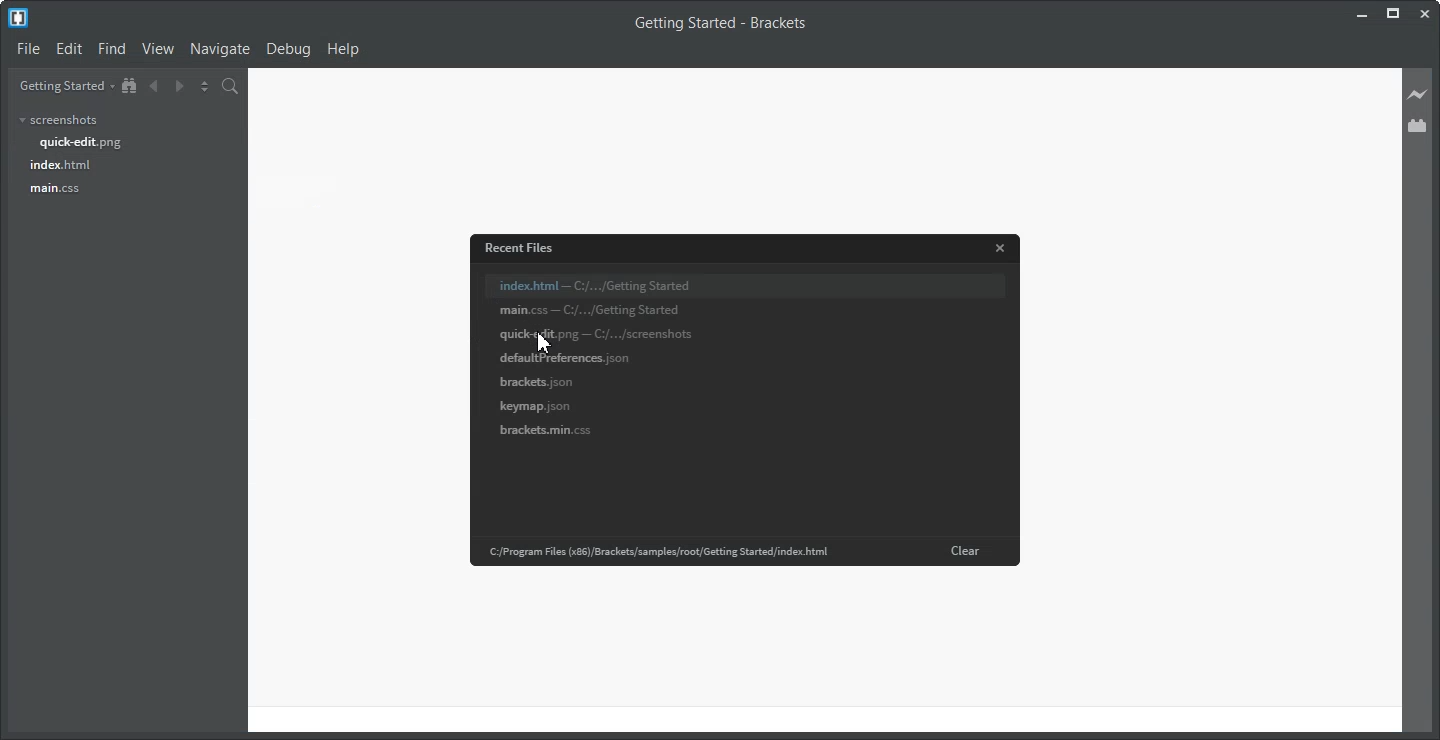  What do you see at coordinates (63, 85) in the screenshot?
I see `Getting Started` at bounding box center [63, 85].